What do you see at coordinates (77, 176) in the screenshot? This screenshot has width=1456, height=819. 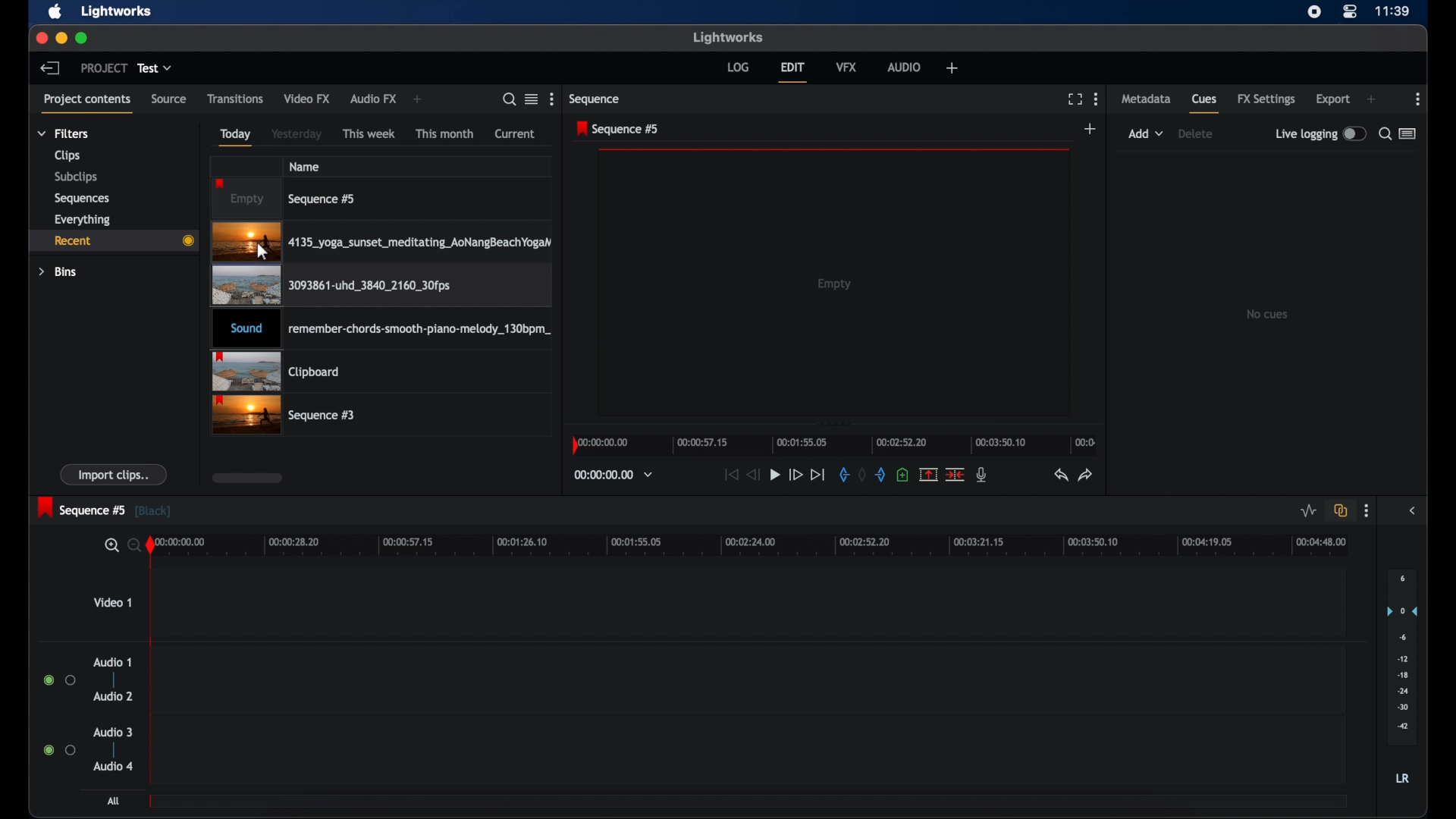 I see `subclips` at bounding box center [77, 176].